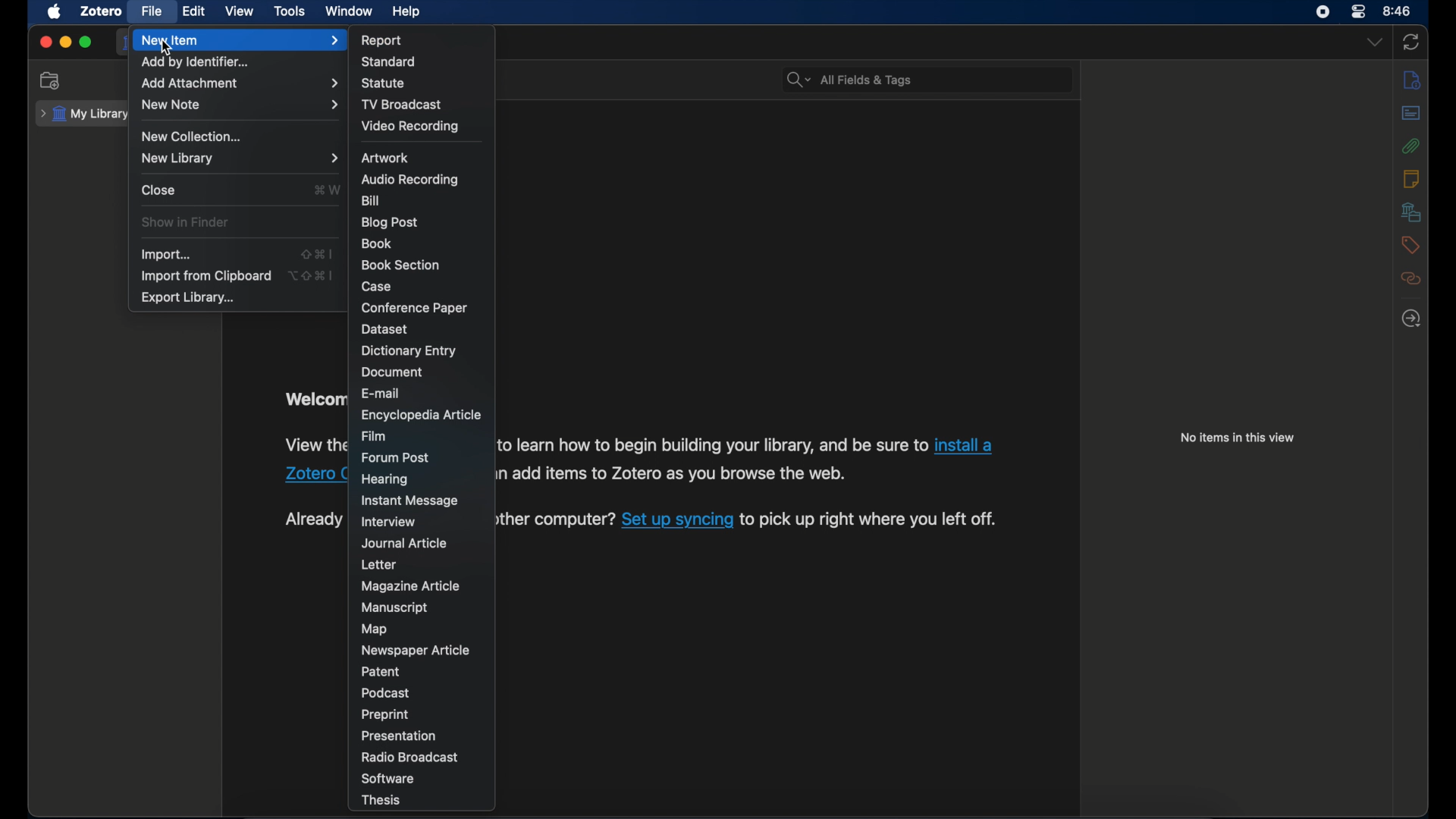  What do you see at coordinates (400, 735) in the screenshot?
I see `presentation` at bounding box center [400, 735].